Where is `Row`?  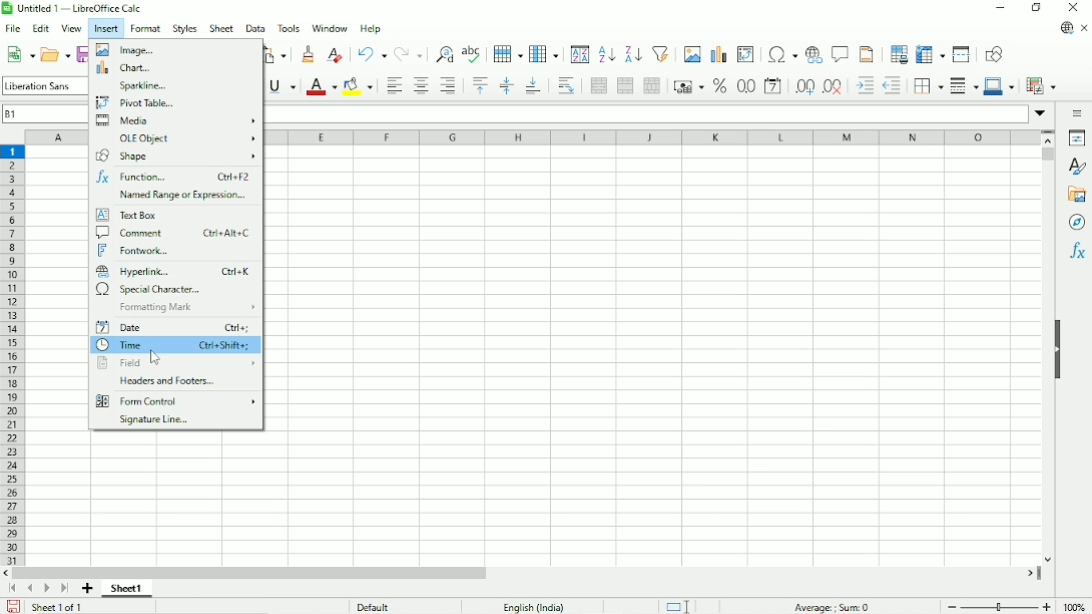
Row is located at coordinates (507, 54).